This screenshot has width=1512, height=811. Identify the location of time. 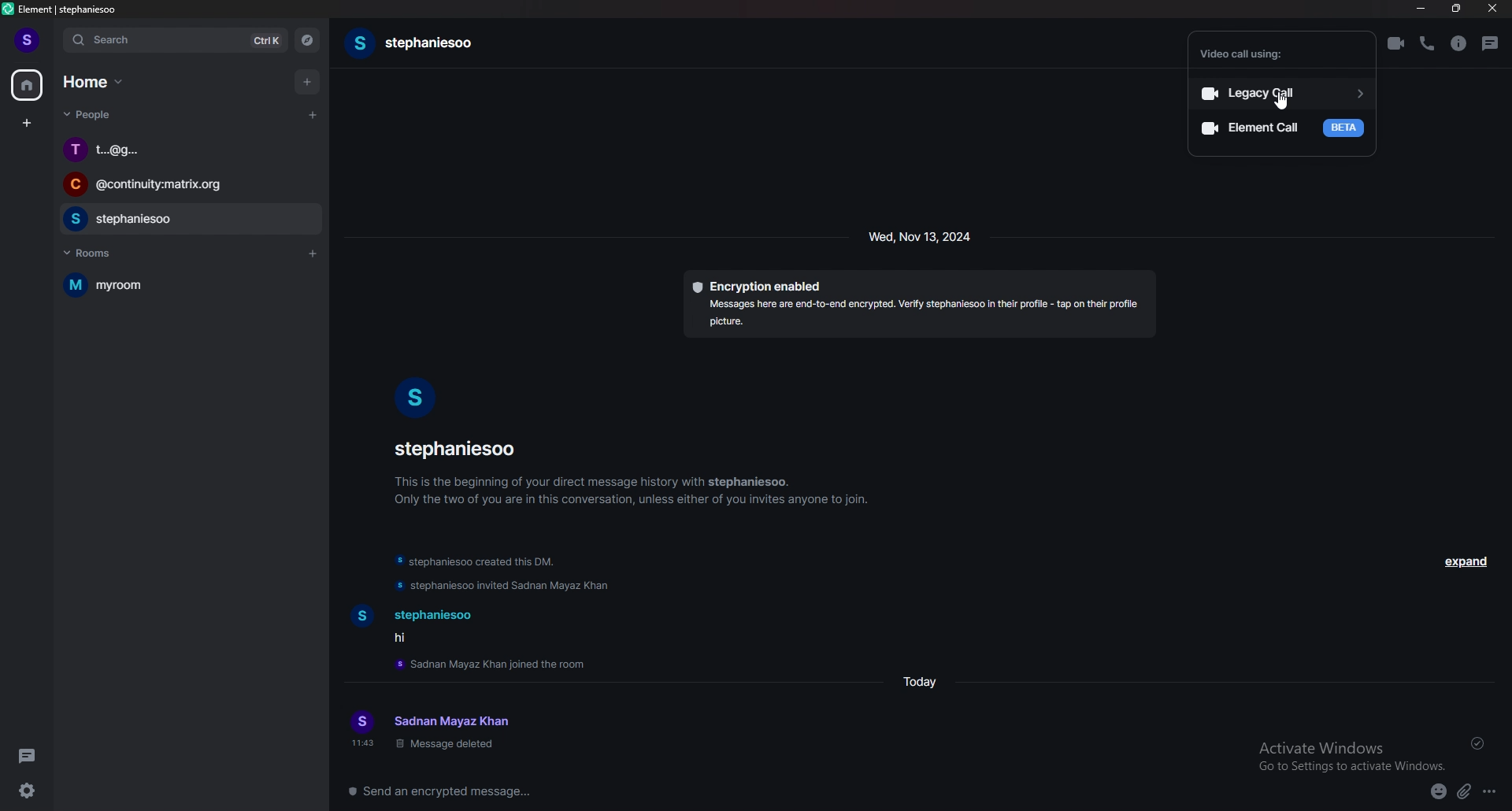
(922, 235).